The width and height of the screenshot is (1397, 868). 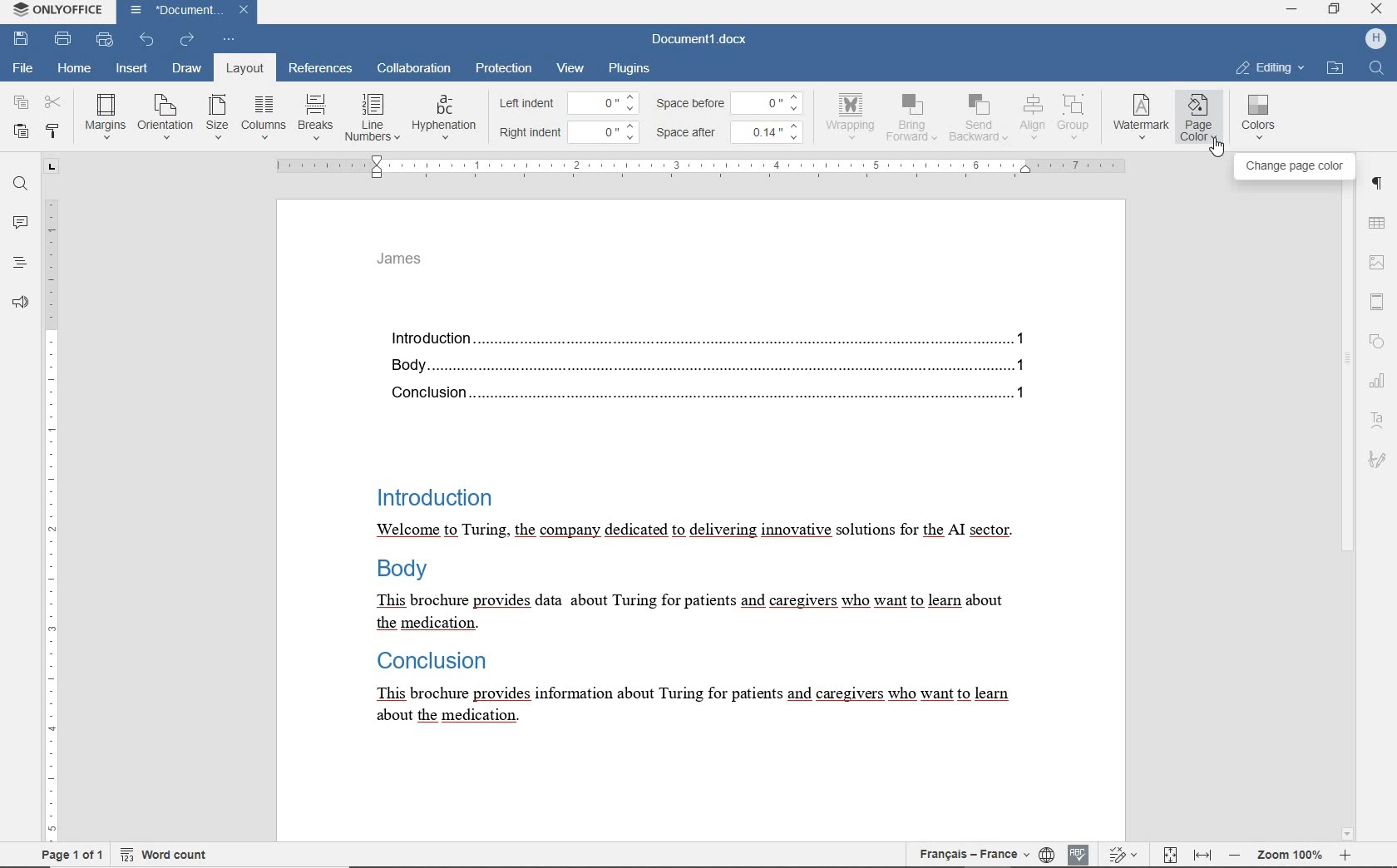 What do you see at coordinates (630, 70) in the screenshot?
I see `plugins` at bounding box center [630, 70].